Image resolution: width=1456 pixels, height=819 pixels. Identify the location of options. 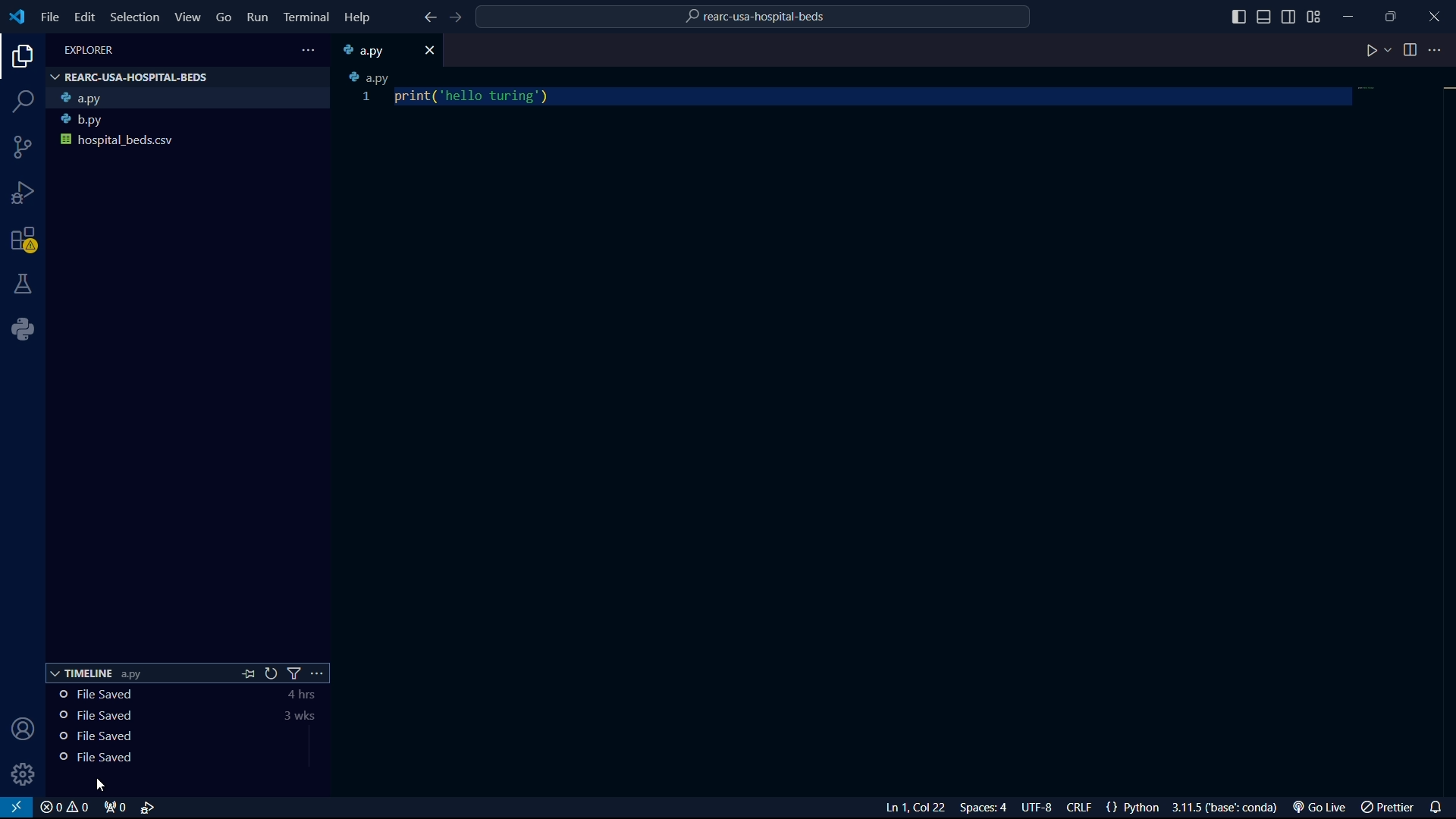
(312, 50).